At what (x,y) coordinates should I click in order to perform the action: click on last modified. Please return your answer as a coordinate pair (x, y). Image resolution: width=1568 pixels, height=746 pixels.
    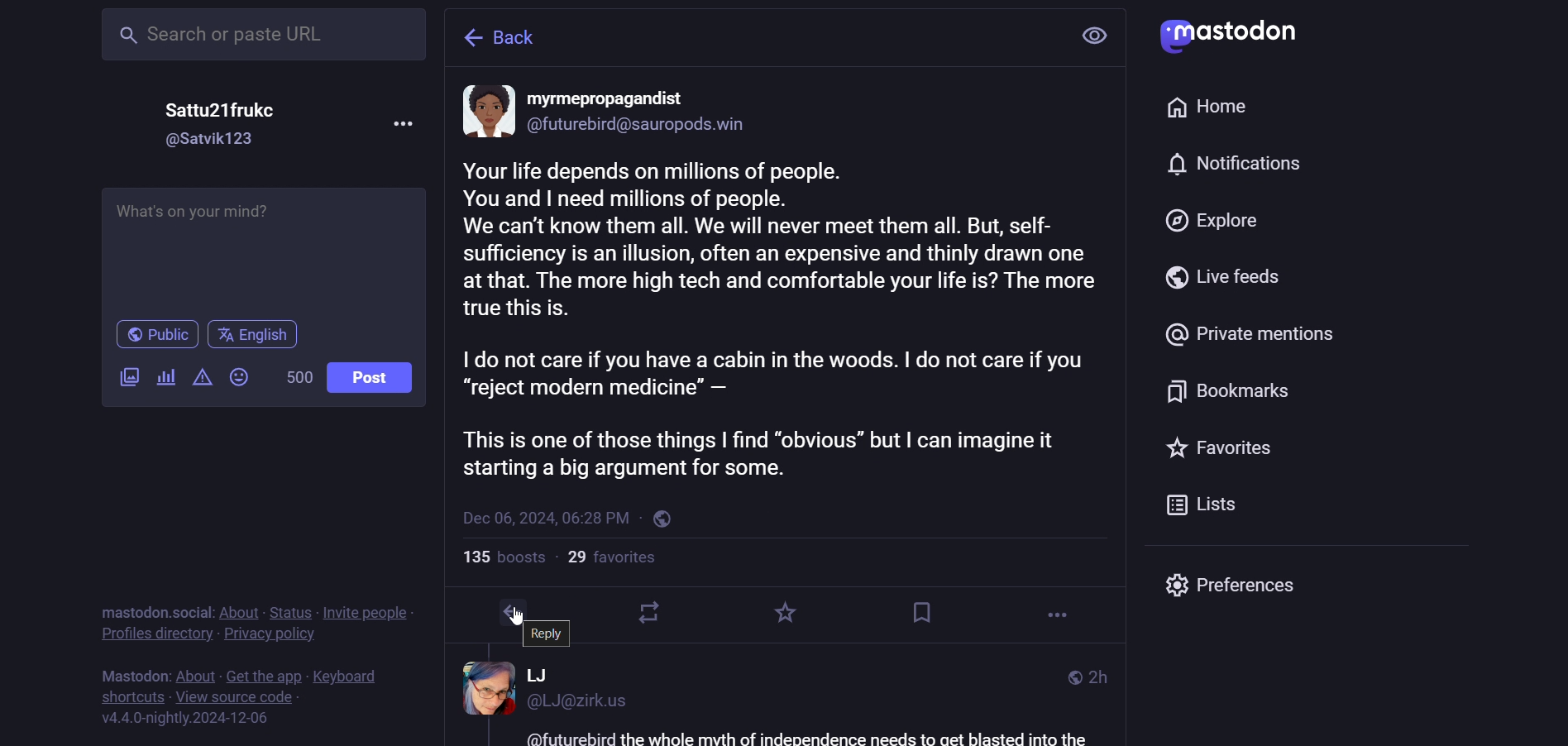
    Looking at the image, I should click on (545, 519).